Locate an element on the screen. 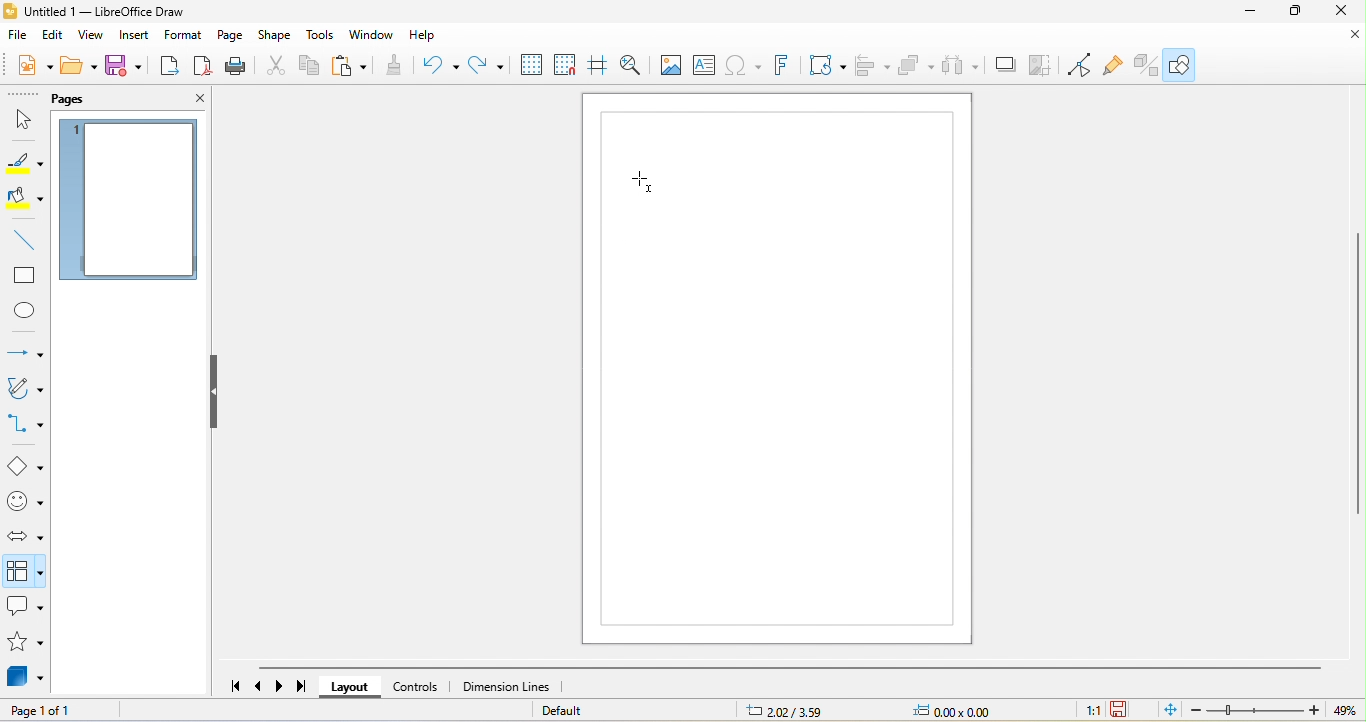 Image resolution: width=1366 pixels, height=722 pixels. zoom and pan is located at coordinates (633, 65).